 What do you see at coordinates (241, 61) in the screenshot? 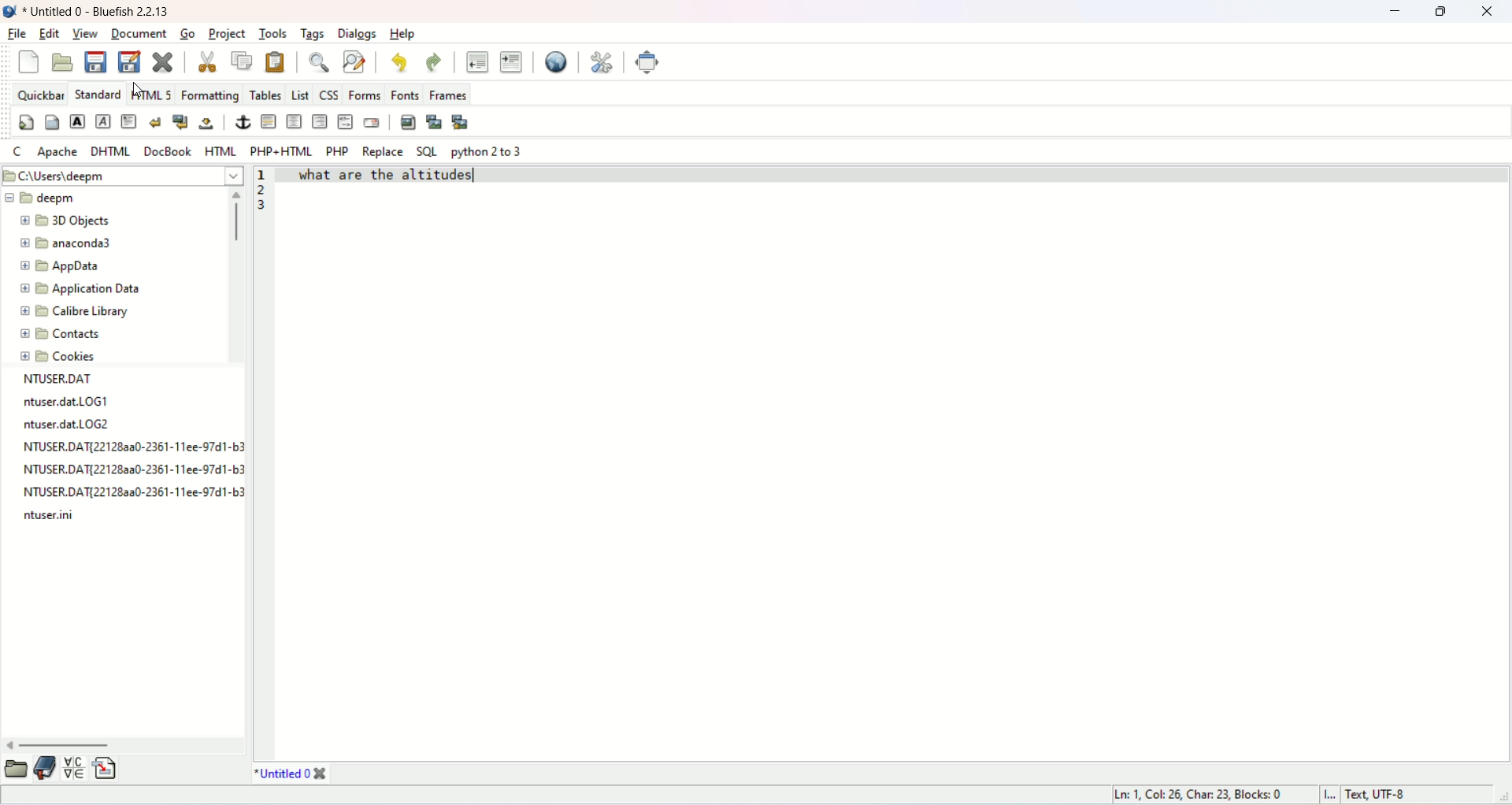
I see `copy` at bounding box center [241, 61].